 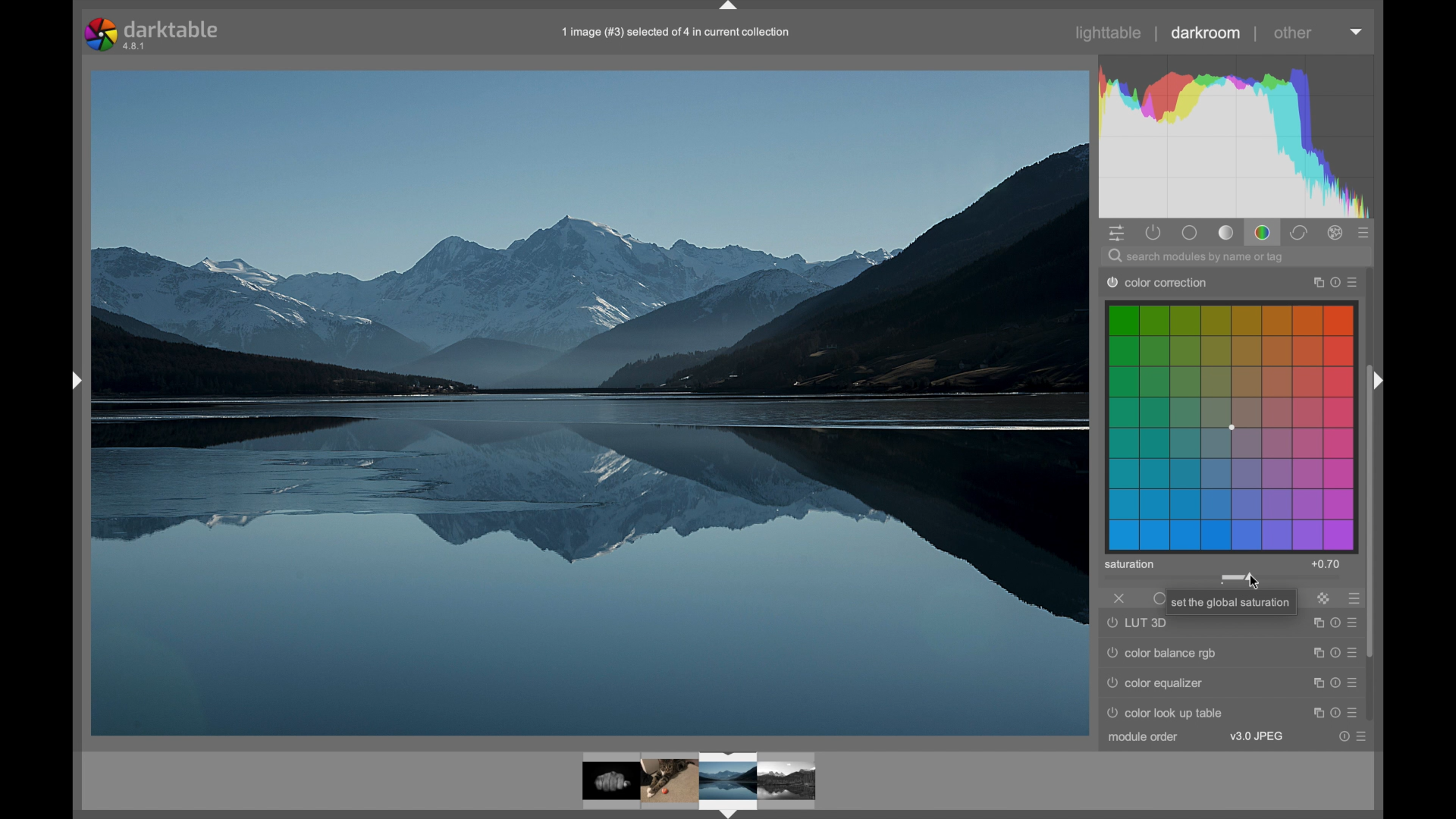 I want to click on options, so click(x=1332, y=623).